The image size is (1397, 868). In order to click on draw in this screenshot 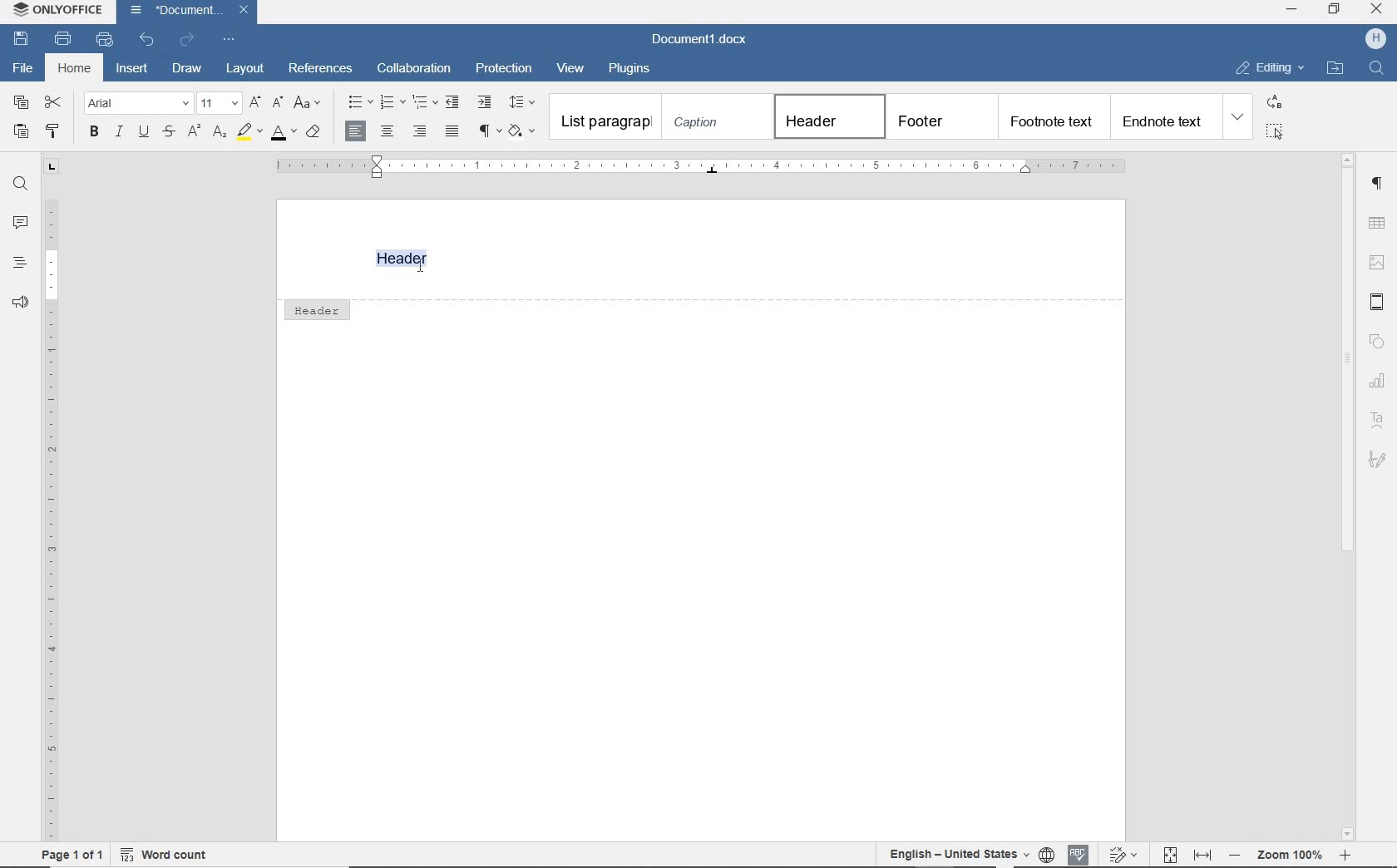, I will do `click(187, 67)`.